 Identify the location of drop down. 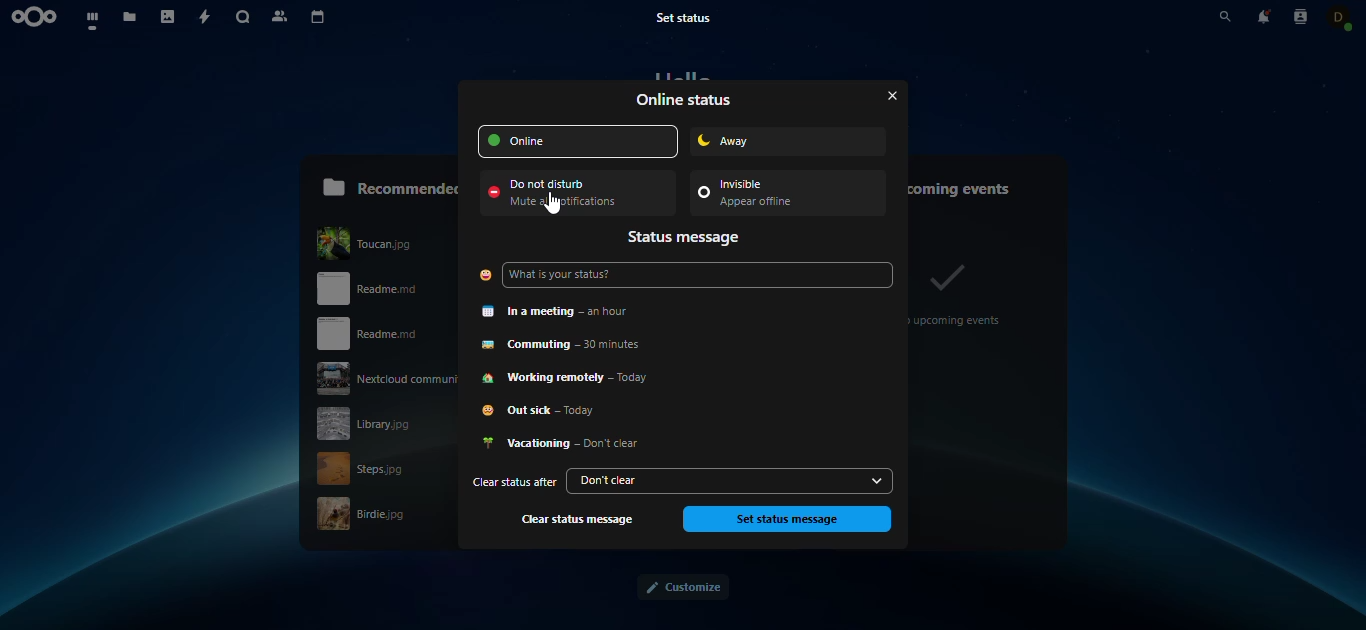
(877, 481).